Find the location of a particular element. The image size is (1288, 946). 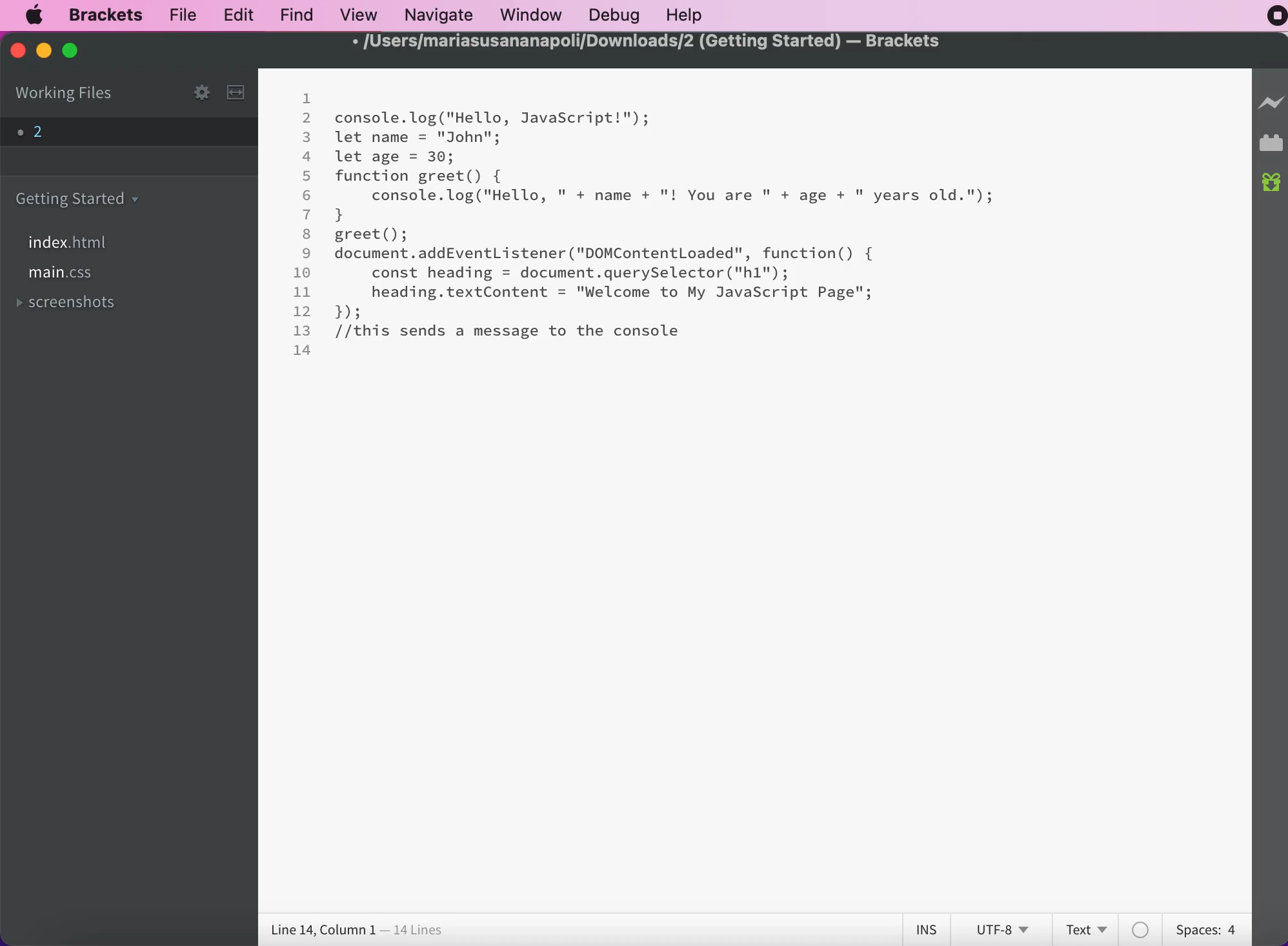

color is located at coordinates (1143, 929).